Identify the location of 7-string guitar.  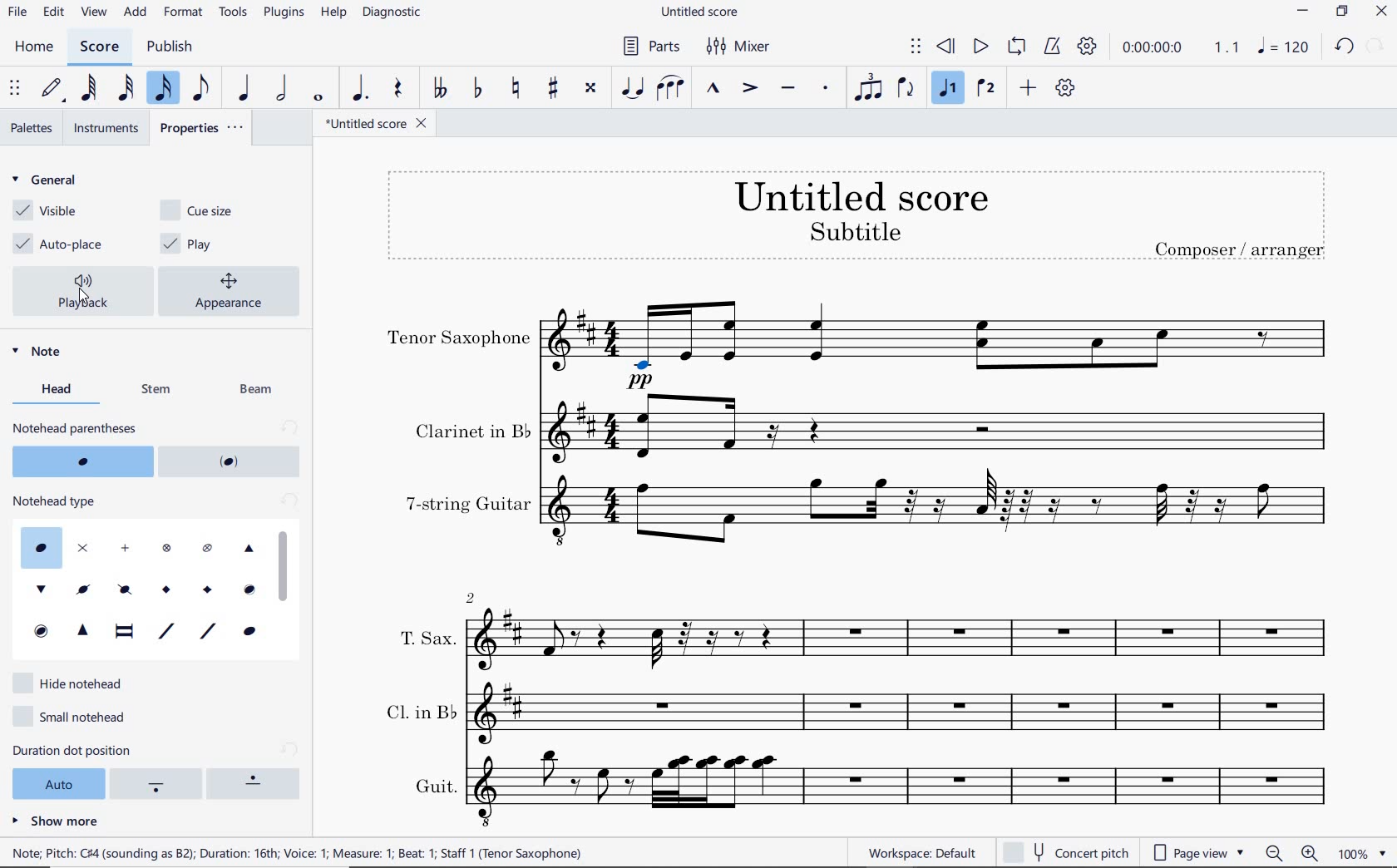
(942, 515).